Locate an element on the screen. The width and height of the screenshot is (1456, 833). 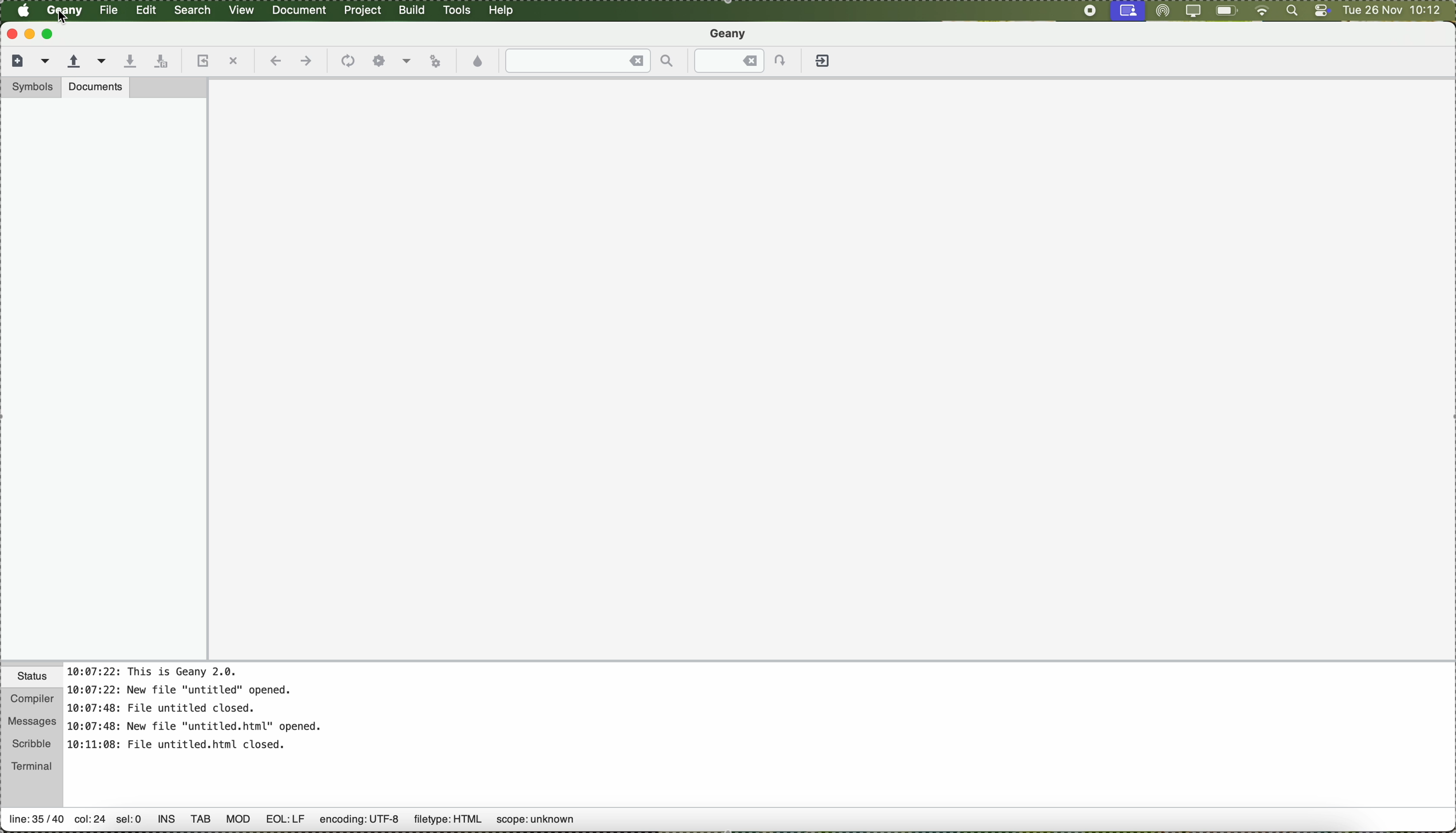
filetype: HTML is located at coordinates (447, 820).